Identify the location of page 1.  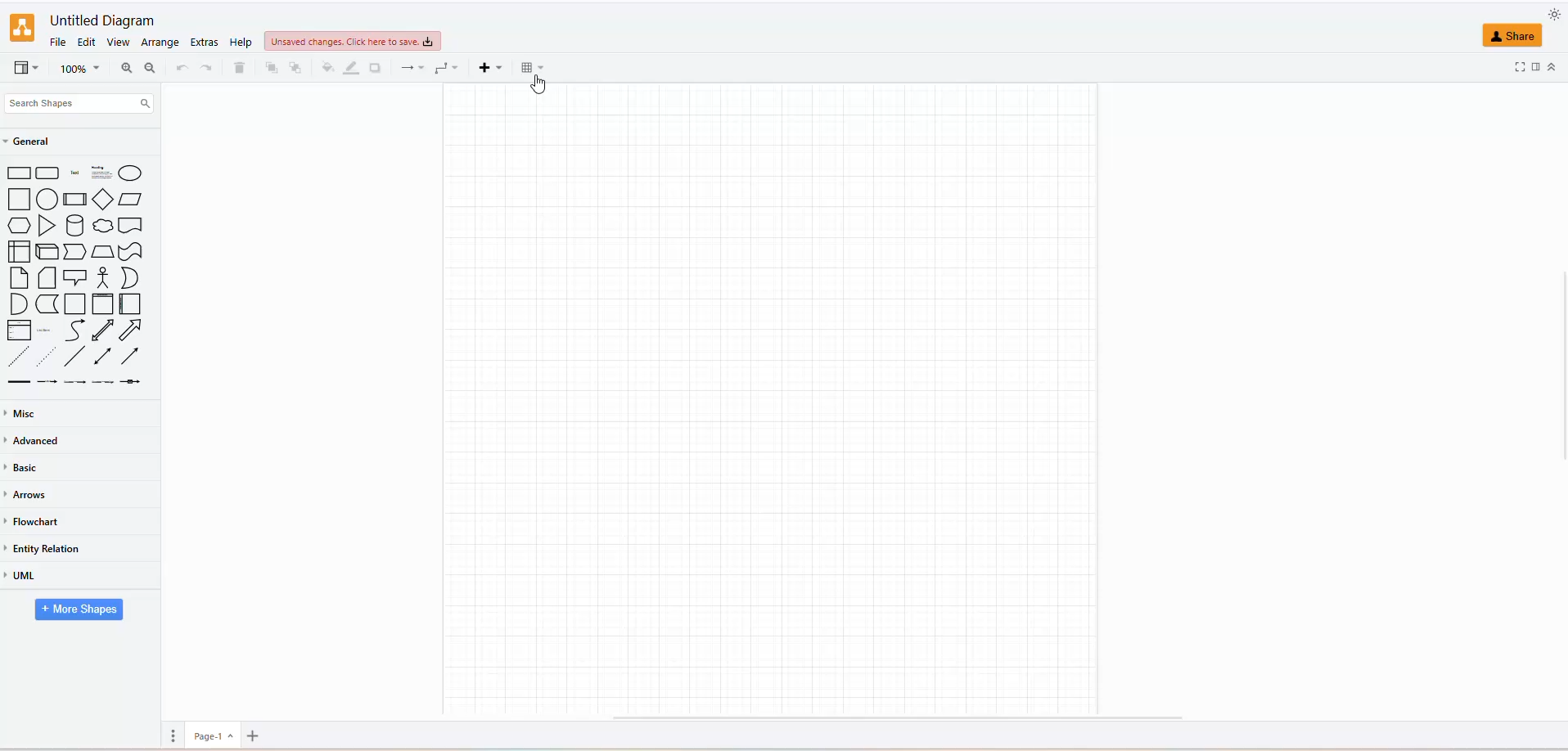
(213, 736).